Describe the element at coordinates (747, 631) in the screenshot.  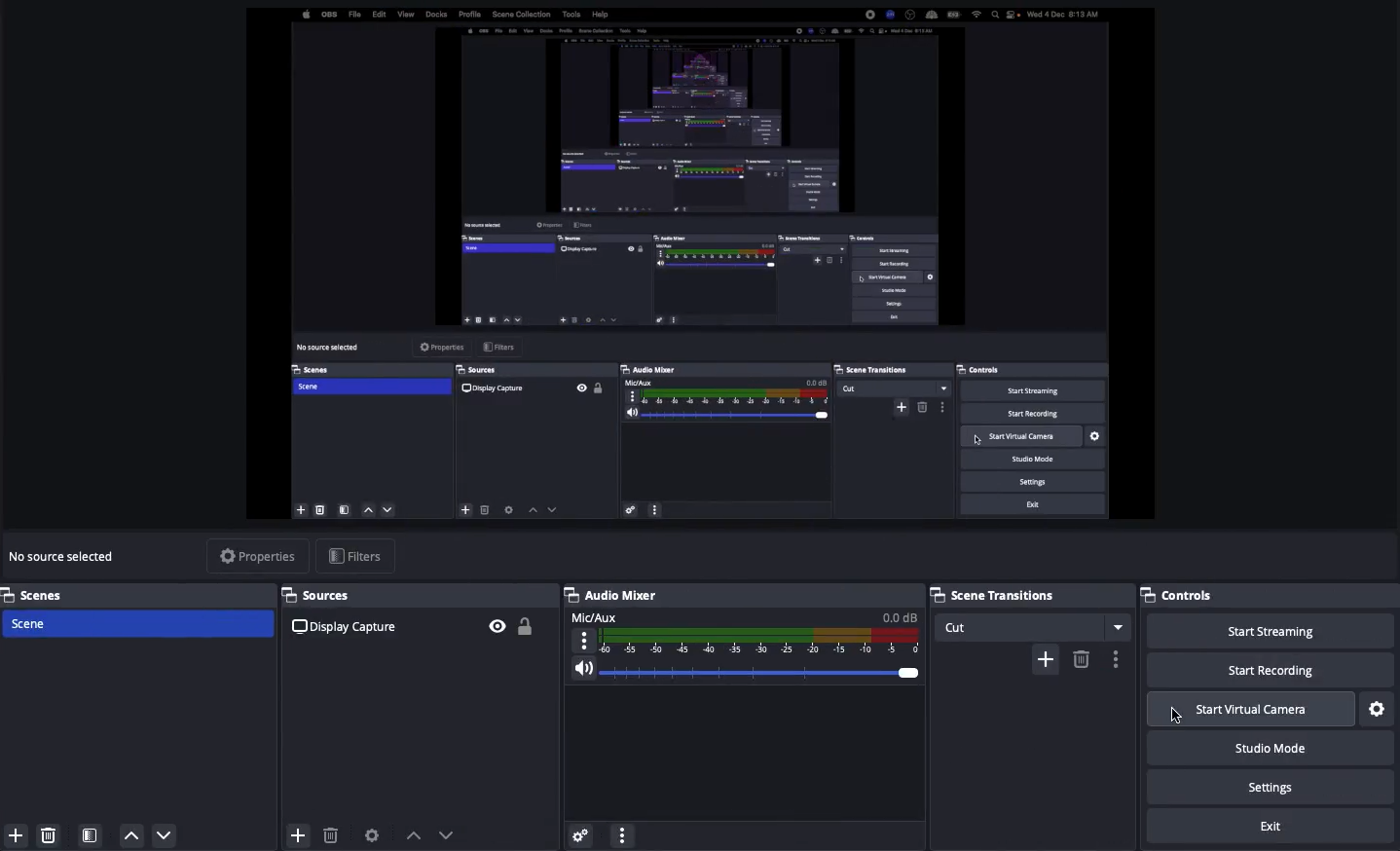
I see `Mic aux` at that location.